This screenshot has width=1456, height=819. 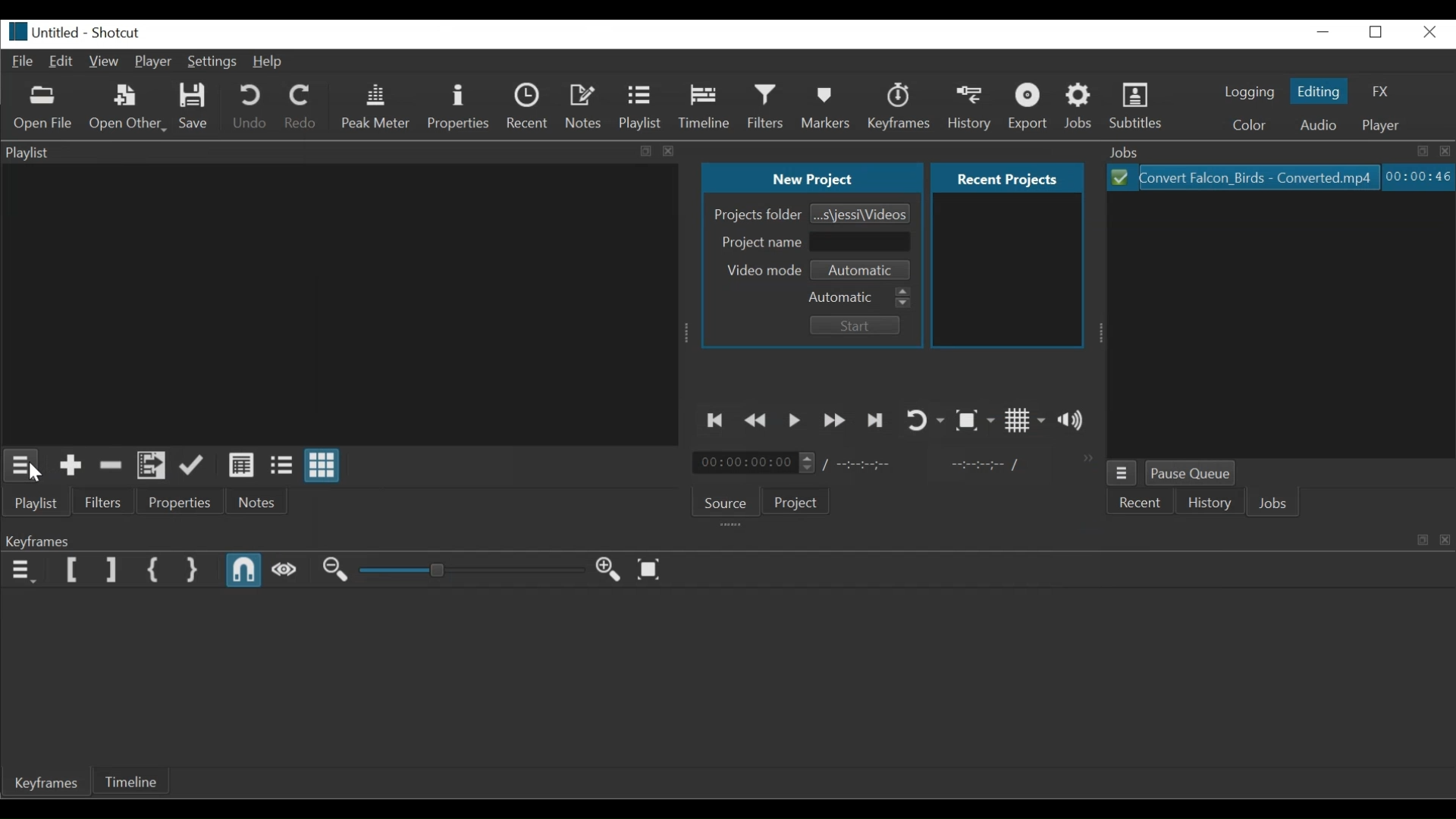 I want to click on Set Filter last, so click(x=111, y=570).